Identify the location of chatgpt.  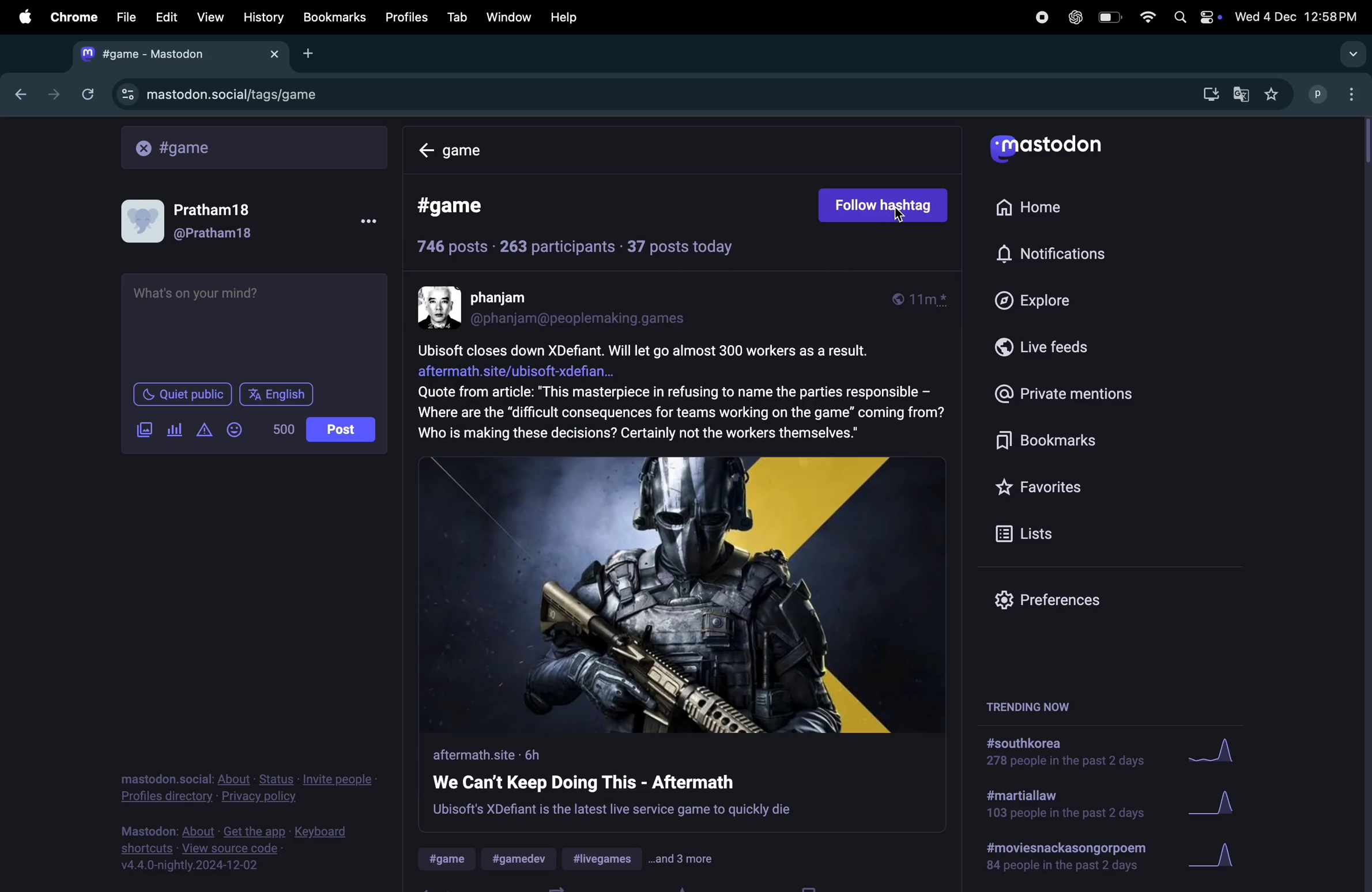
(1076, 17).